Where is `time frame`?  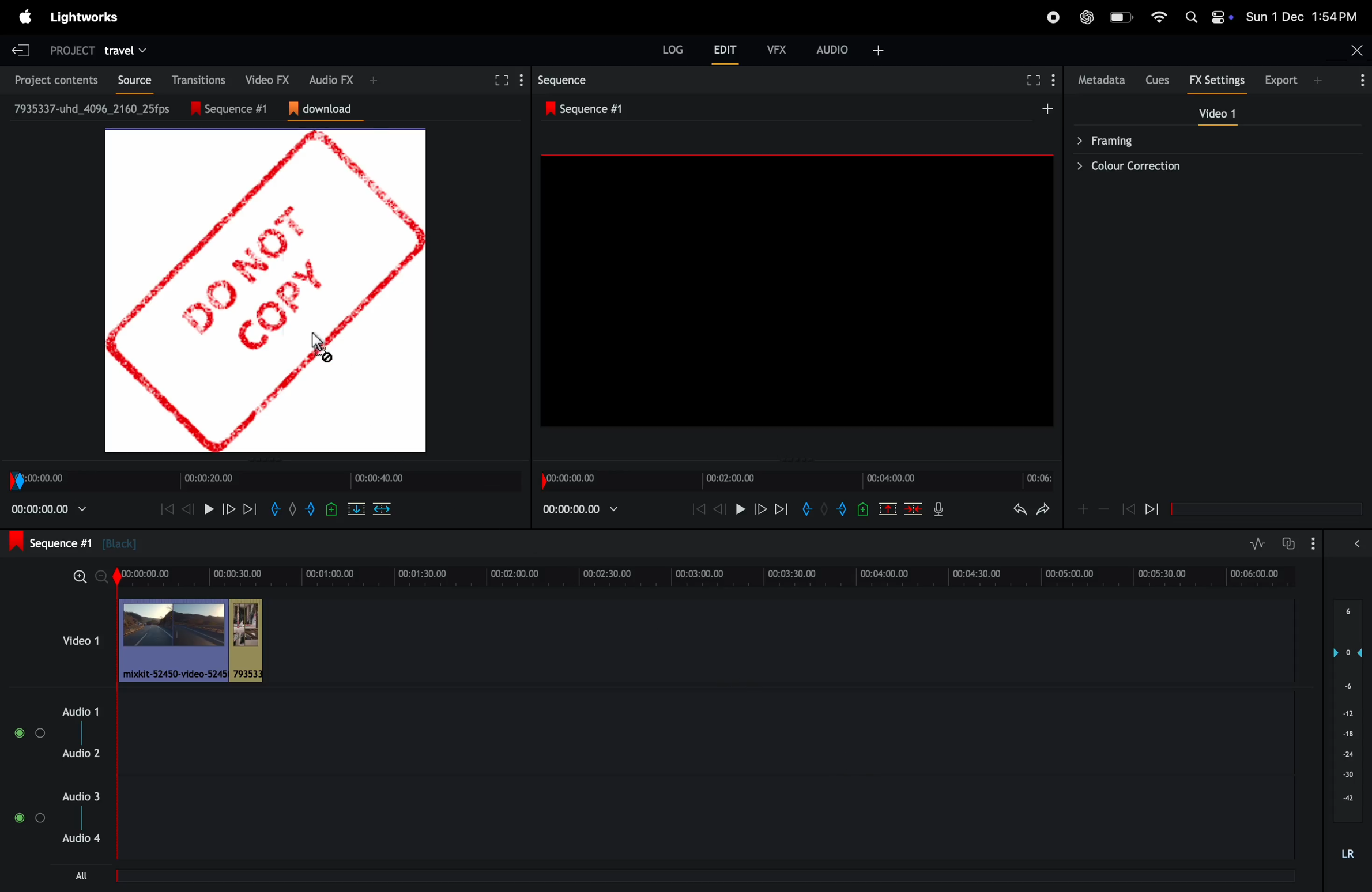 time frame is located at coordinates (265, 481).